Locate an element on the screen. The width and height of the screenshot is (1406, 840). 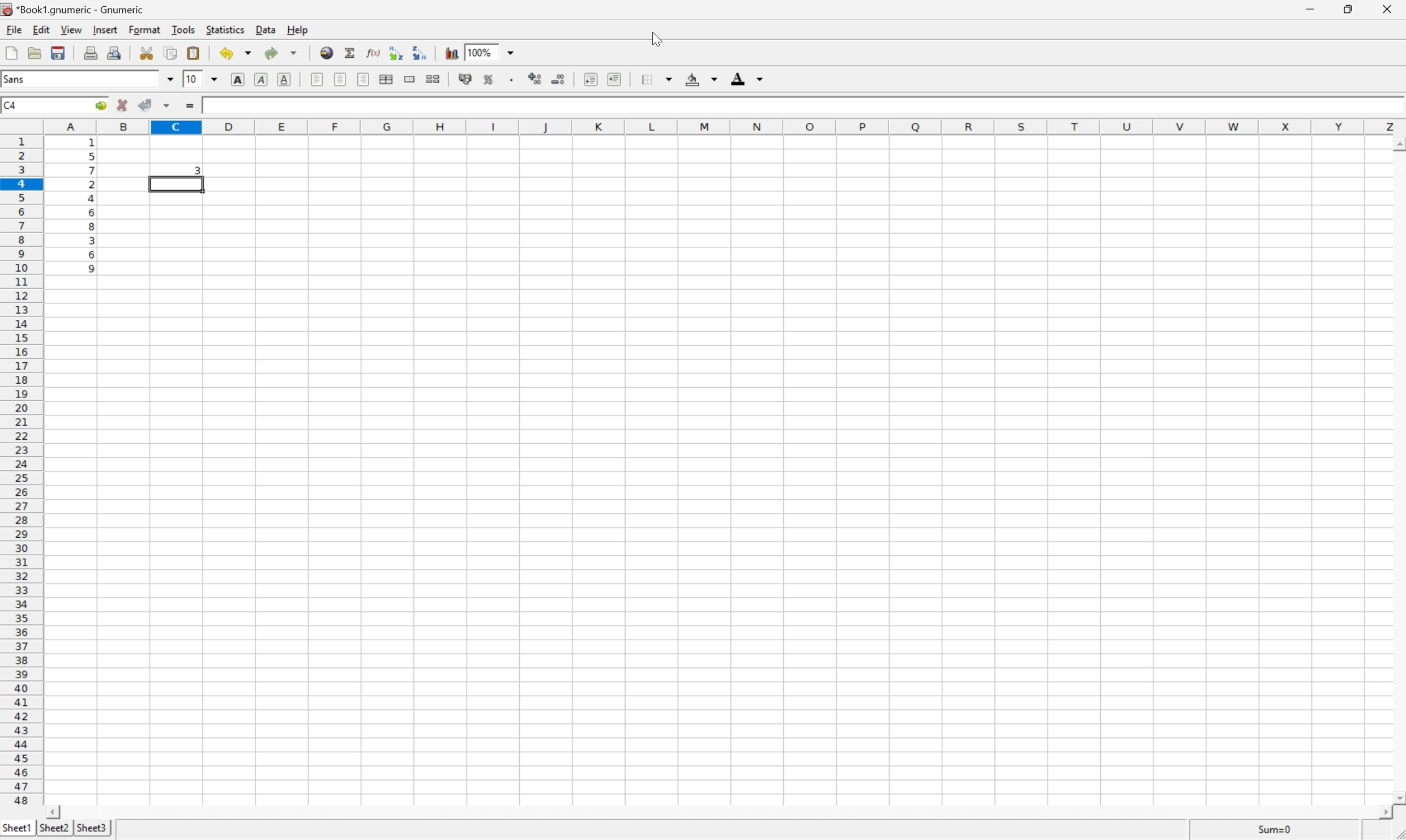
accept changes is located at coordinates (145, 105).